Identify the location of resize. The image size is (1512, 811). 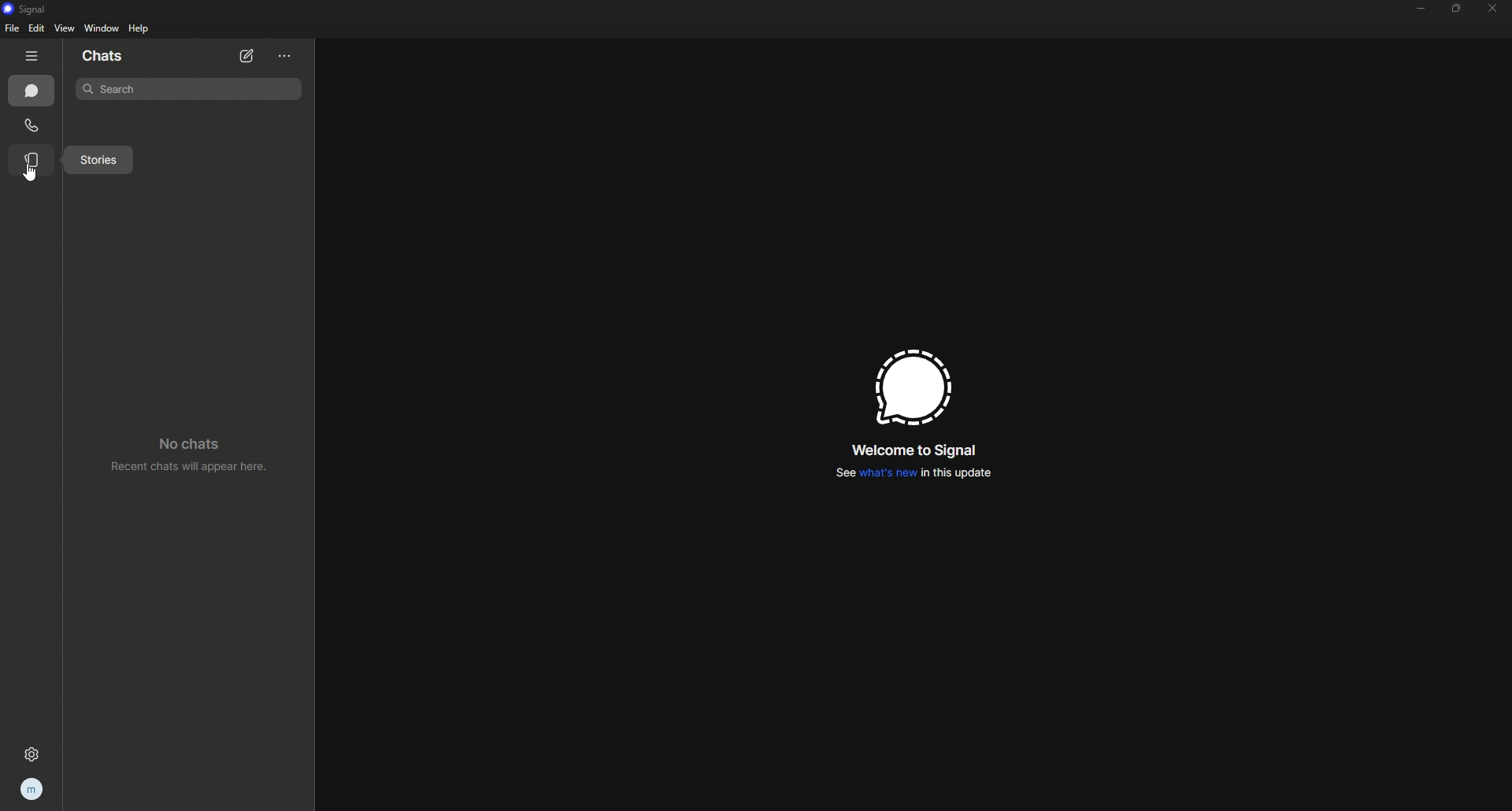
(1458, 9).